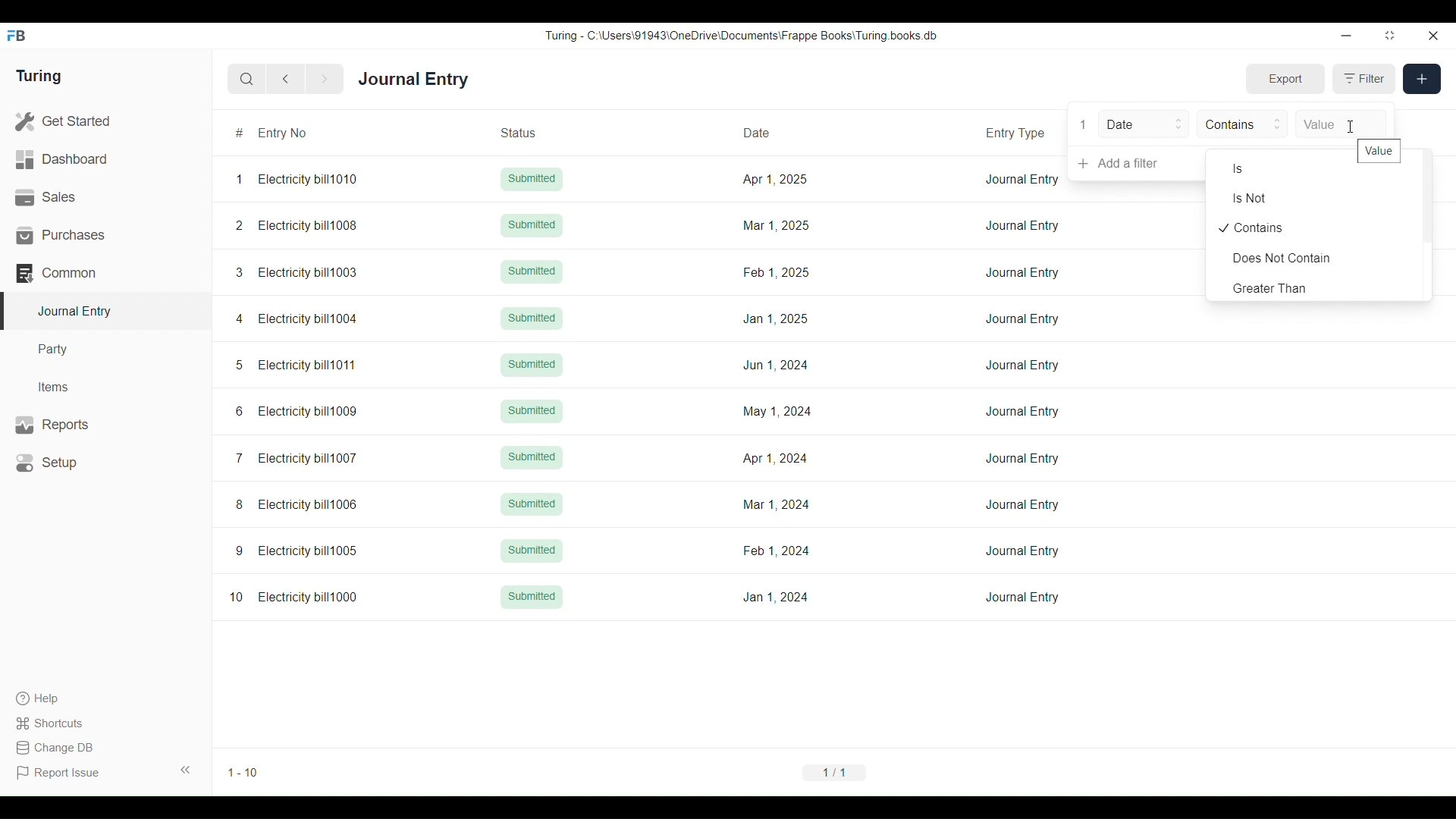  I want to click on Journal Entry, so click(1024, 272).